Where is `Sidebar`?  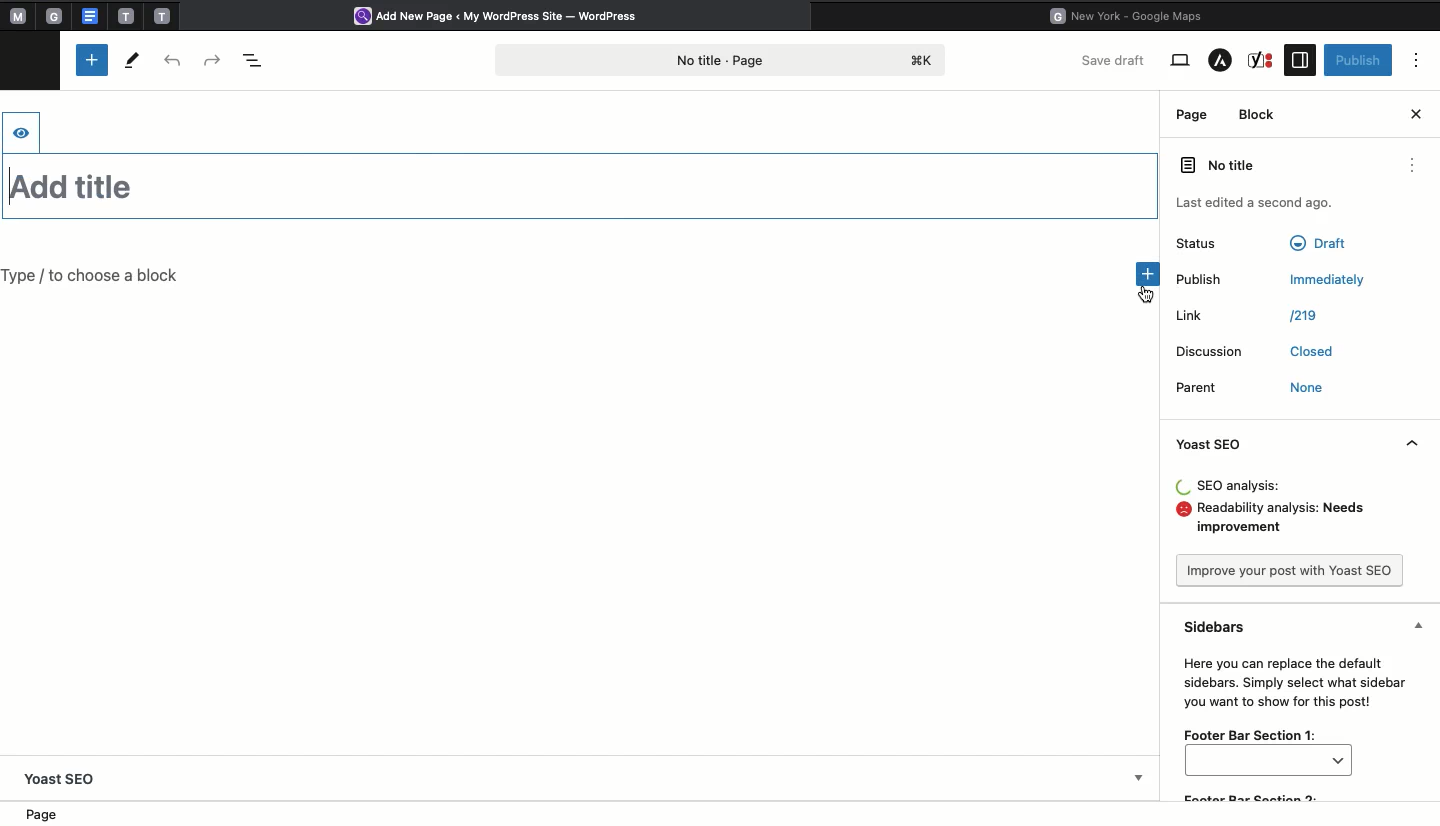
Sidebar is located at coordinates (1299, 60).